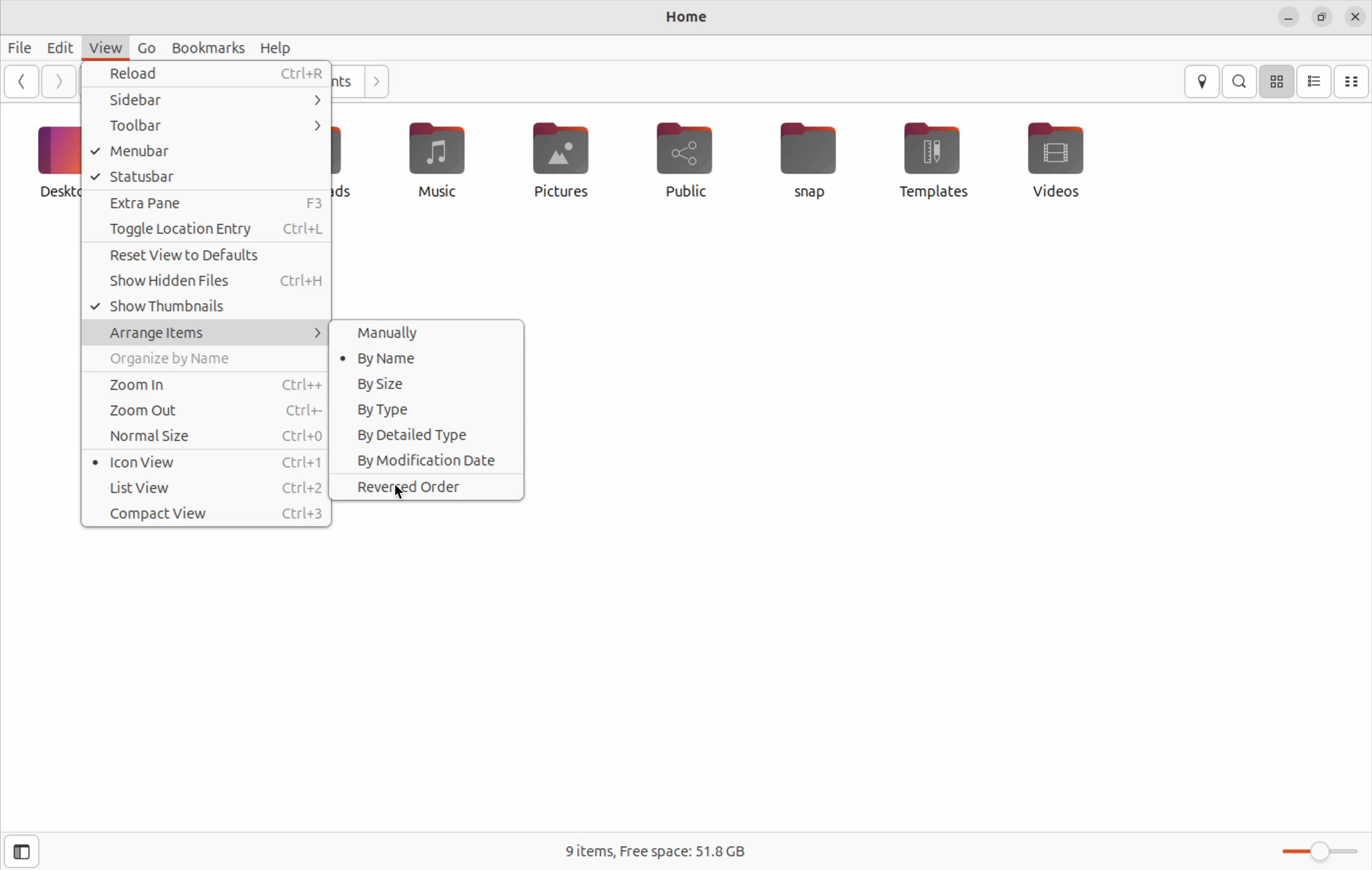 This screenshot has width=1372, height=870. Describe the element at coordinates (207, 434) in the screenshot. I see `normal size` at that location.